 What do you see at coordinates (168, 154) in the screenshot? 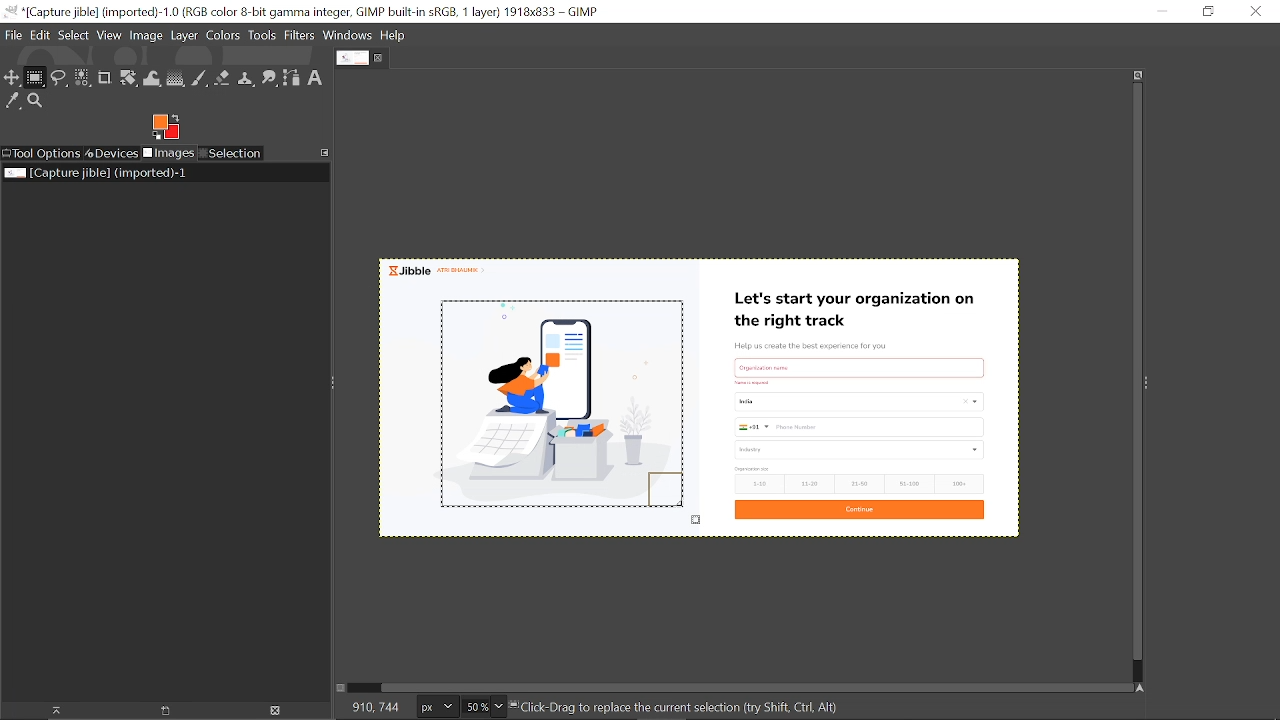
I see `Images` at bounding box center [168, 154].